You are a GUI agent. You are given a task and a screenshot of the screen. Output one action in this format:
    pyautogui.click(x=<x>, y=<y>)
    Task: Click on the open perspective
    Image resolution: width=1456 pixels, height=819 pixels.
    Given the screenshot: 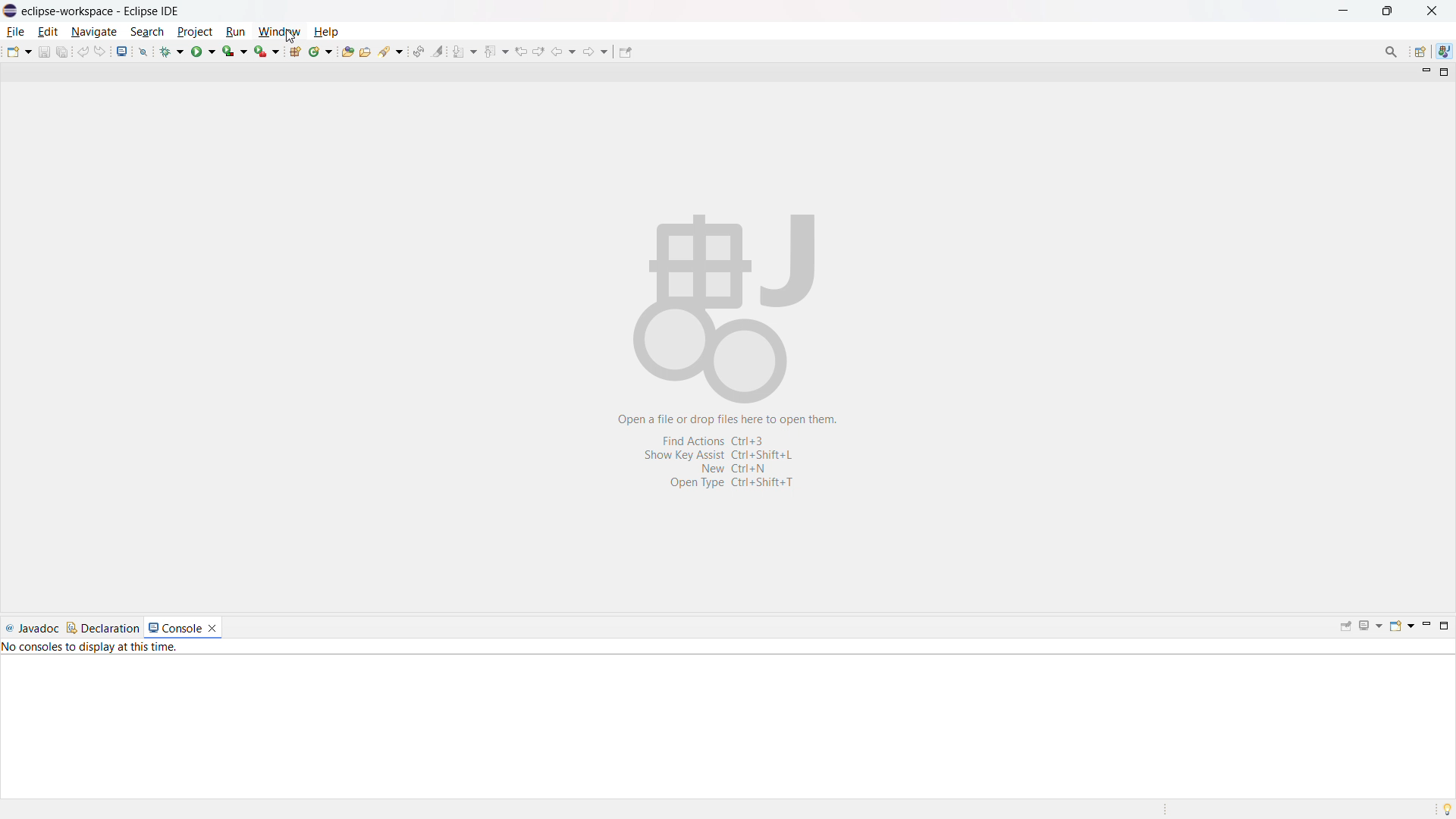 What is the action you would take?
    pyautogui.click(x=1421, y=52)
    